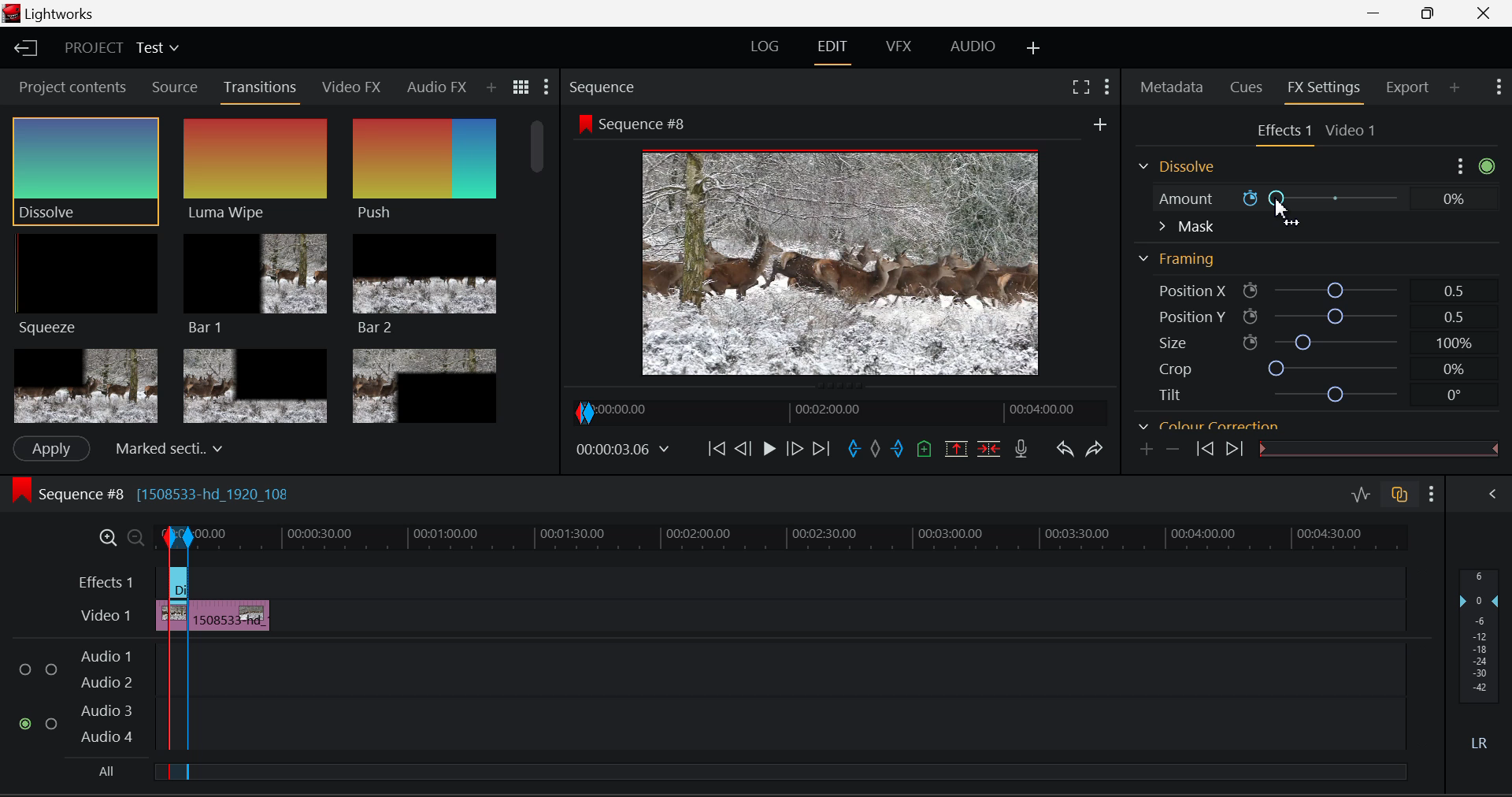  I want to click on Go Back, so click(743, 450).